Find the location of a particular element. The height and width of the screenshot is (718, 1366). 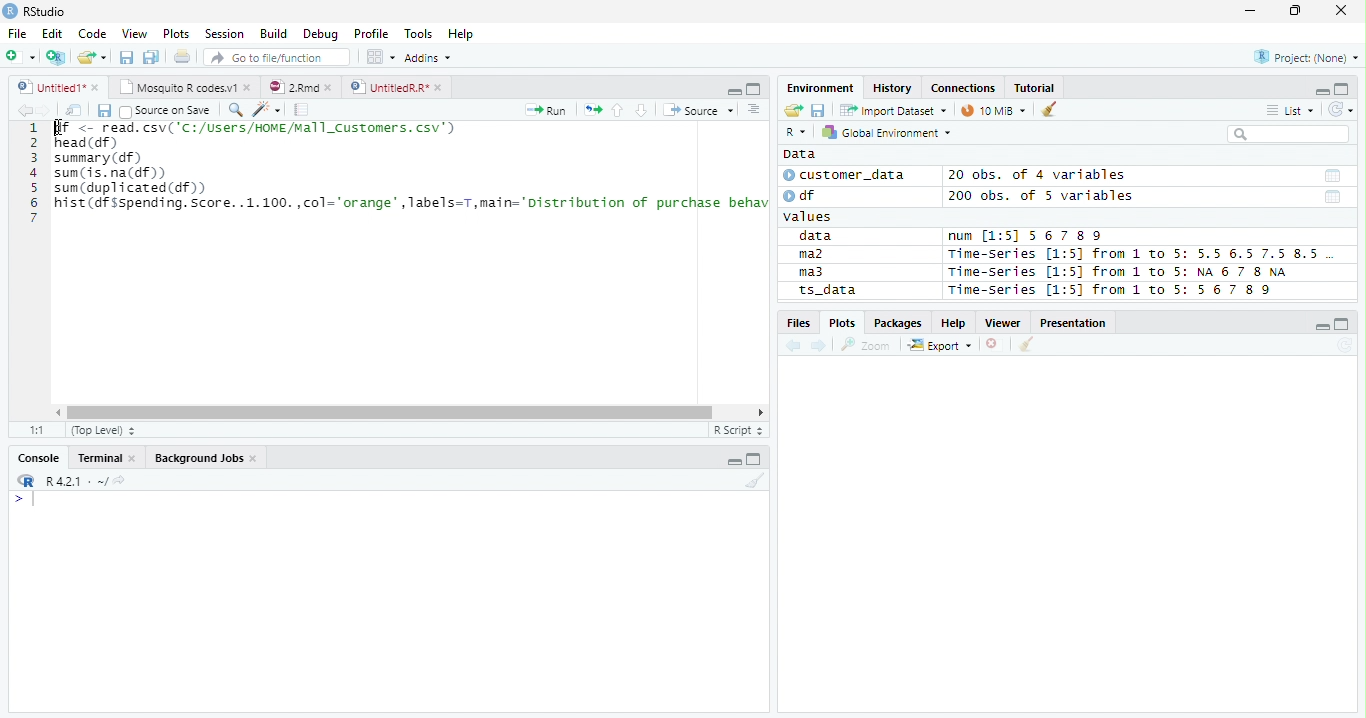

Show in new window is located at coordinates (75, 110).